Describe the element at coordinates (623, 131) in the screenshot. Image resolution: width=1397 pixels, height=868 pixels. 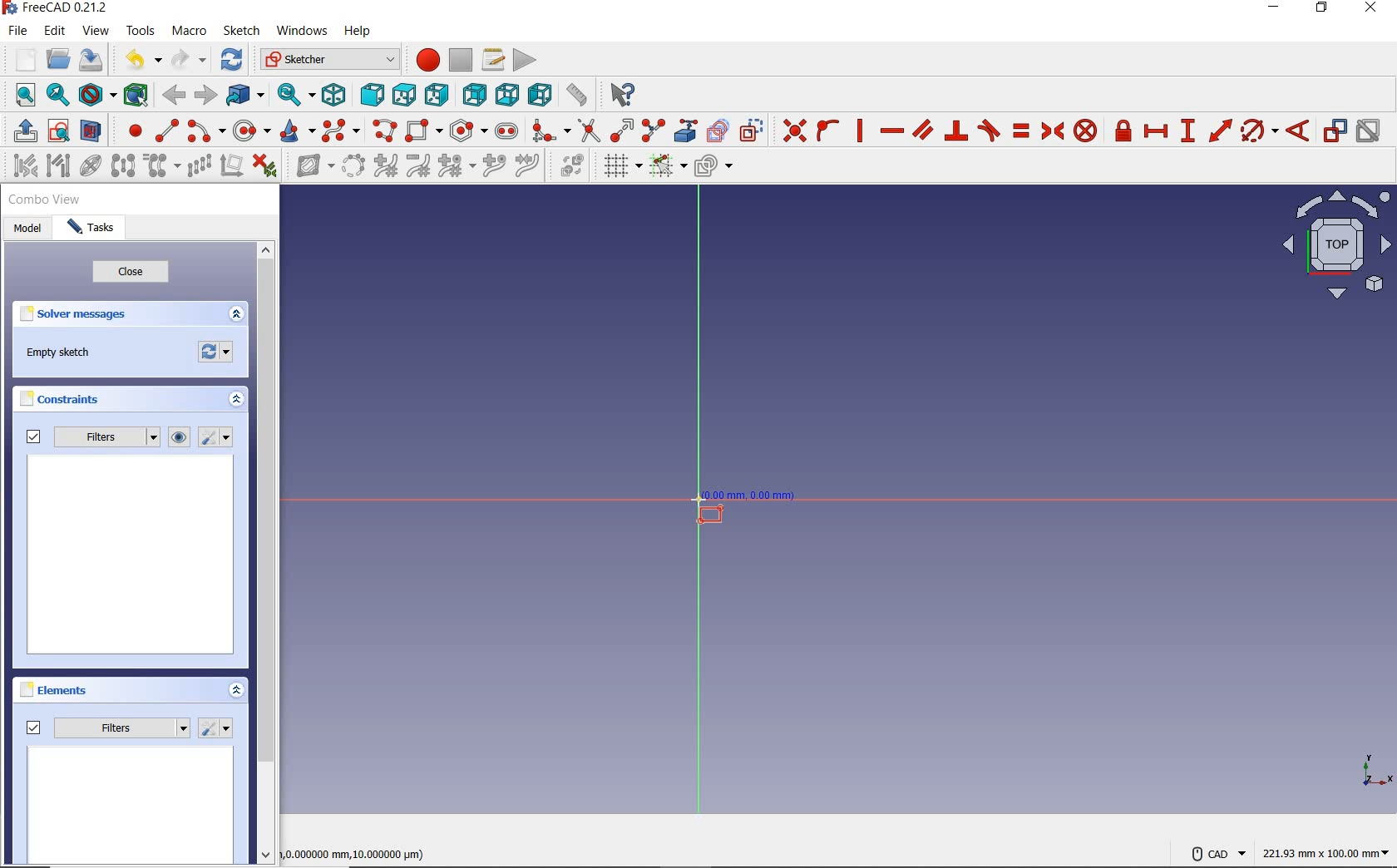
I see `extend edge` at that location.